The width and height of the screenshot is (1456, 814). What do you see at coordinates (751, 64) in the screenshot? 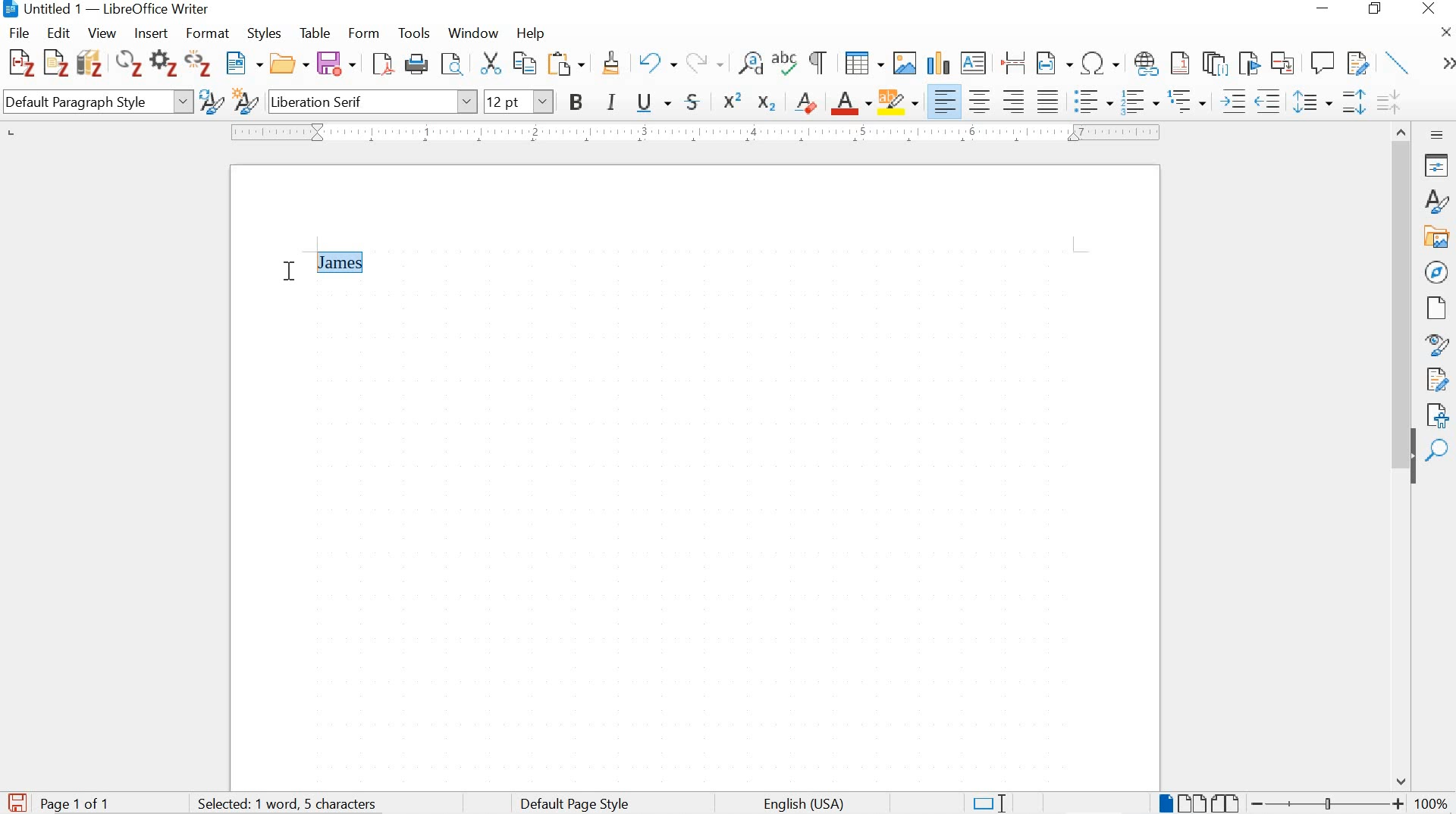
I see `find and replace` at bounding box center [751, 64].